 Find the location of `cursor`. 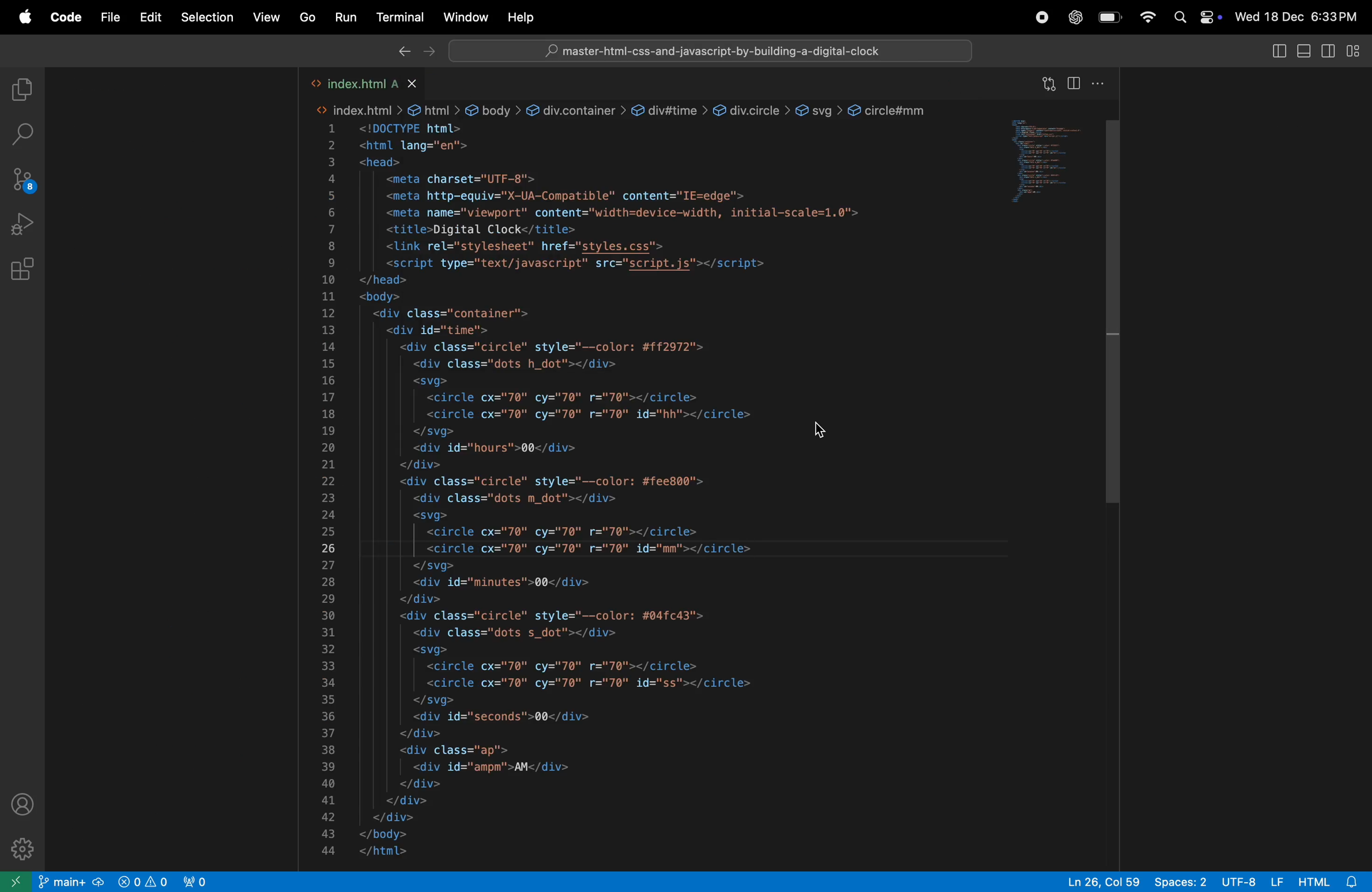

cursor is located at coordinates (823, 429).